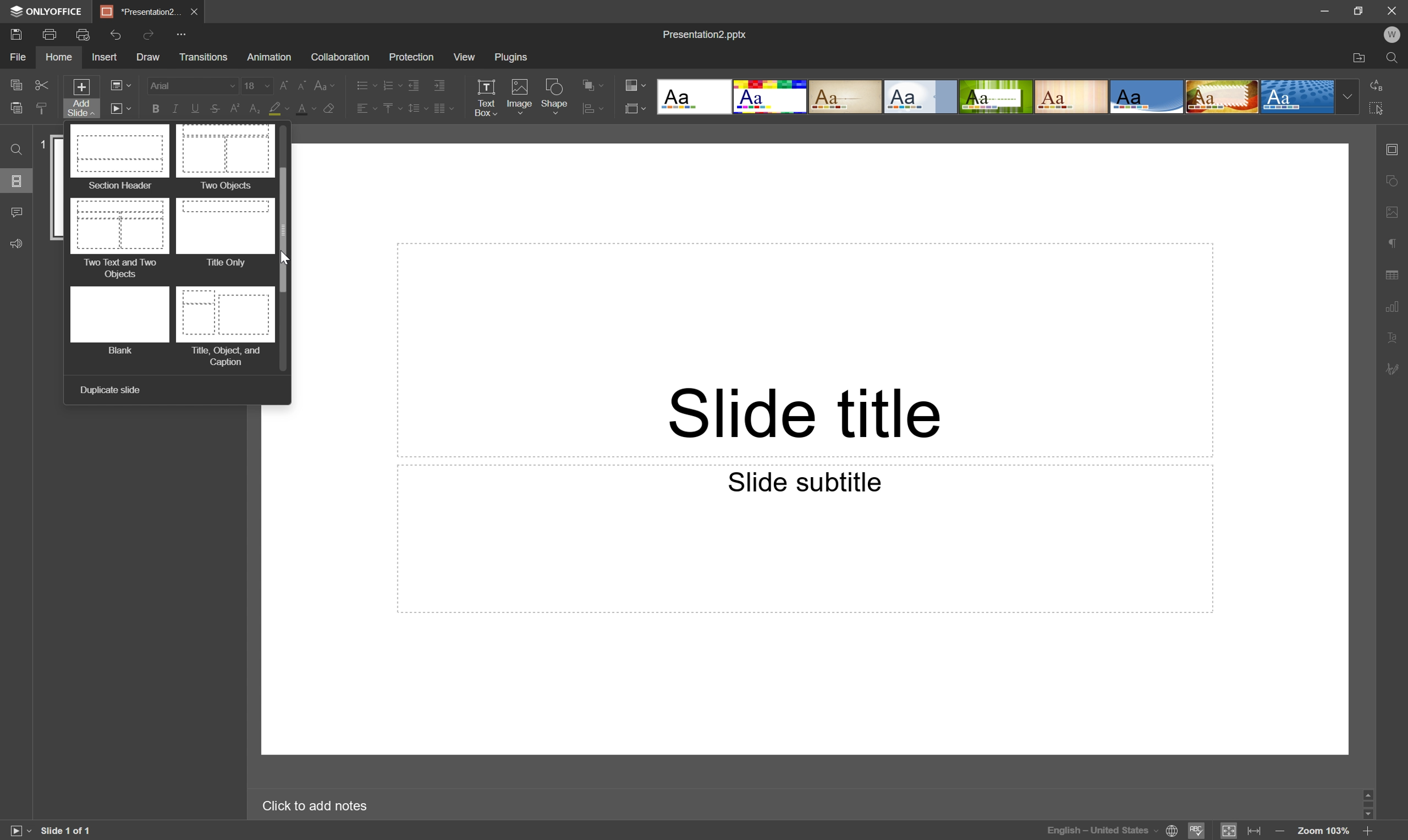  Describe the element at coordinates (191, 85) in the screenshot. I see `Font` at that location.